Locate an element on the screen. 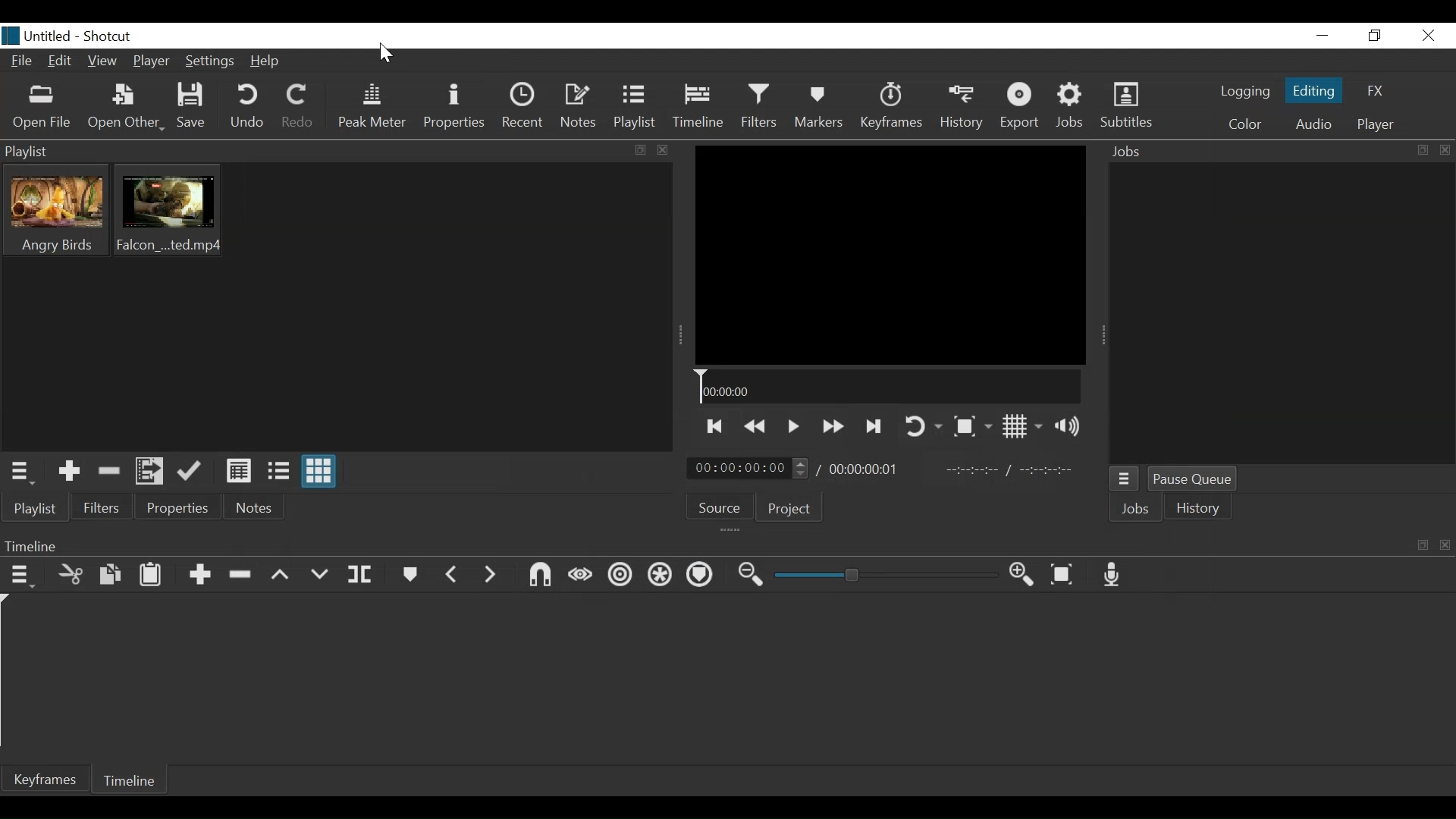  Update is located at coordinates (193, 472).